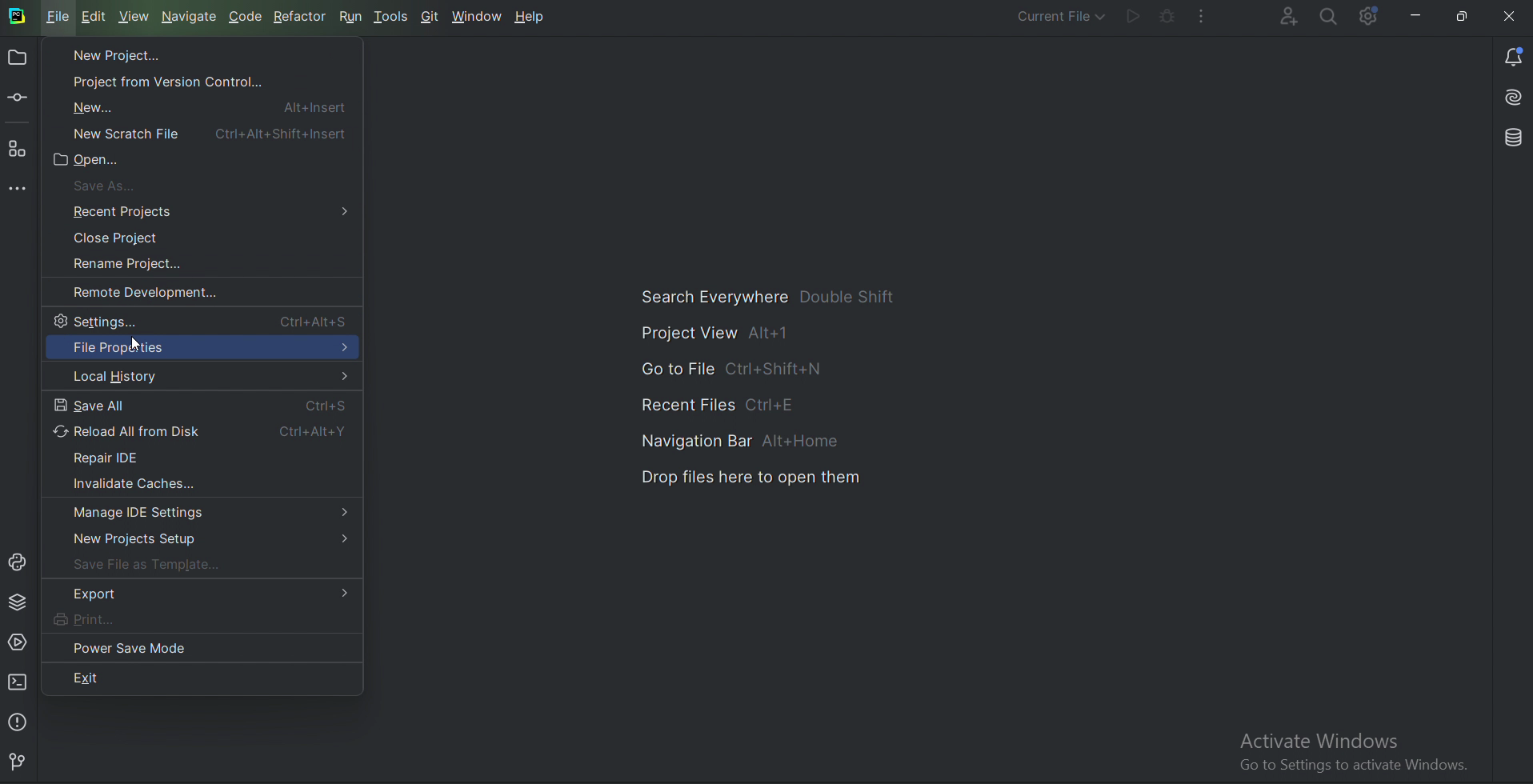 This screenshot has width=1533, height=784. What do you see at coordinates (122, 456) in the screenshot?
I see `Repair IDE` at bounding box center [122, 456].